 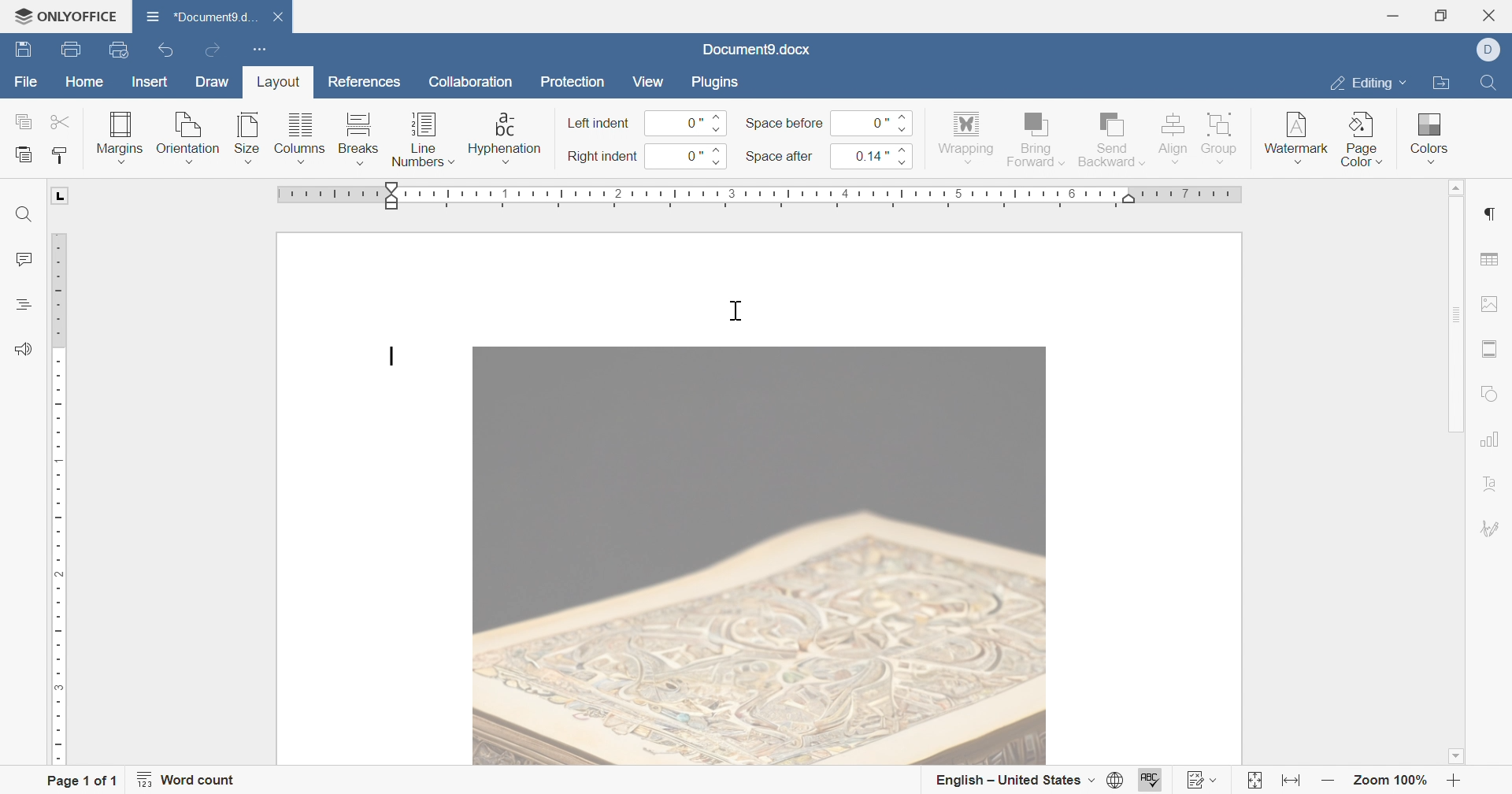 What do you see at coordinates (423, 143) in the screenshot?
I see `line numbers` at bounding box center [423, 143].